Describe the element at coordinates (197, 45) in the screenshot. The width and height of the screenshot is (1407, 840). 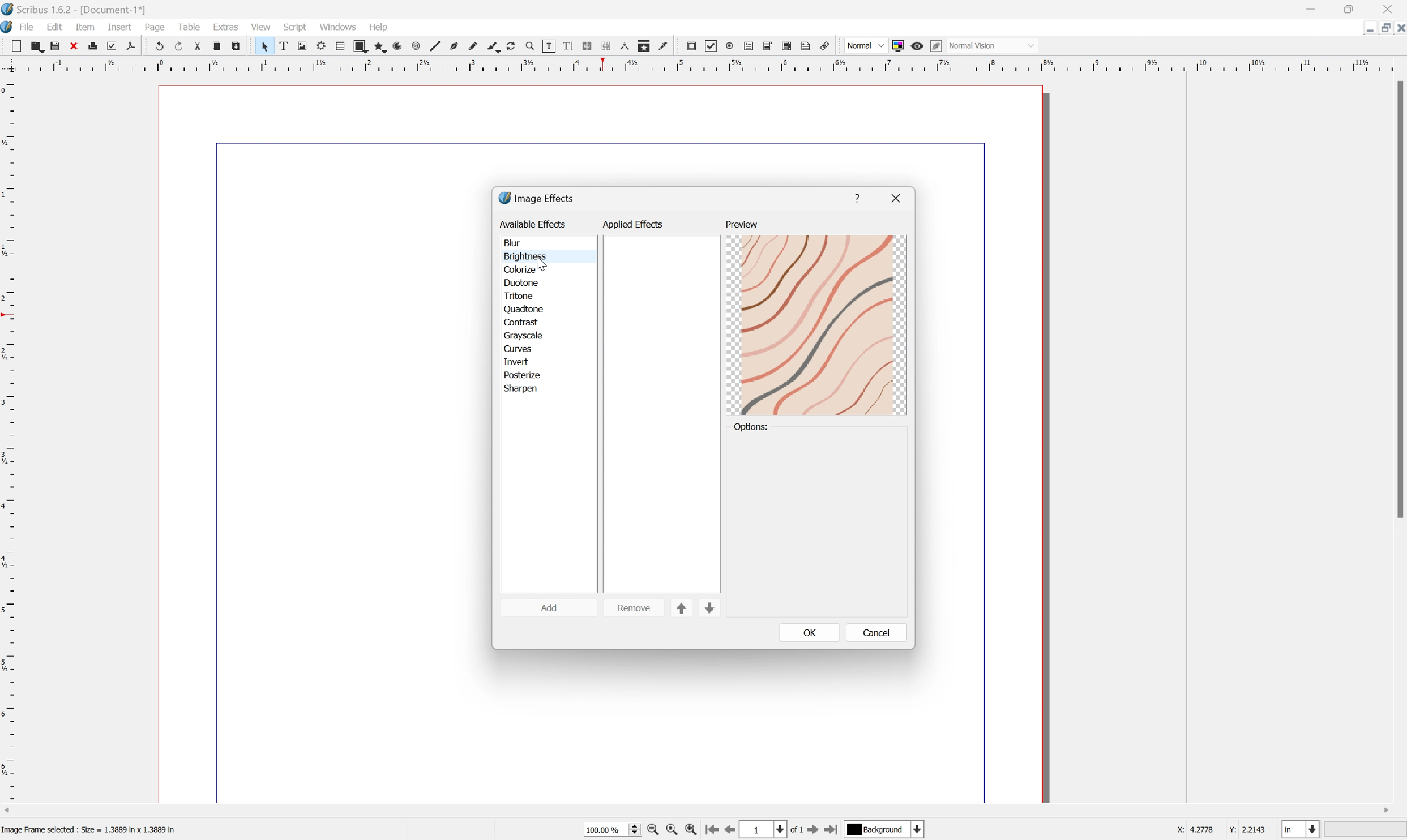
I see `Cut` at that location.